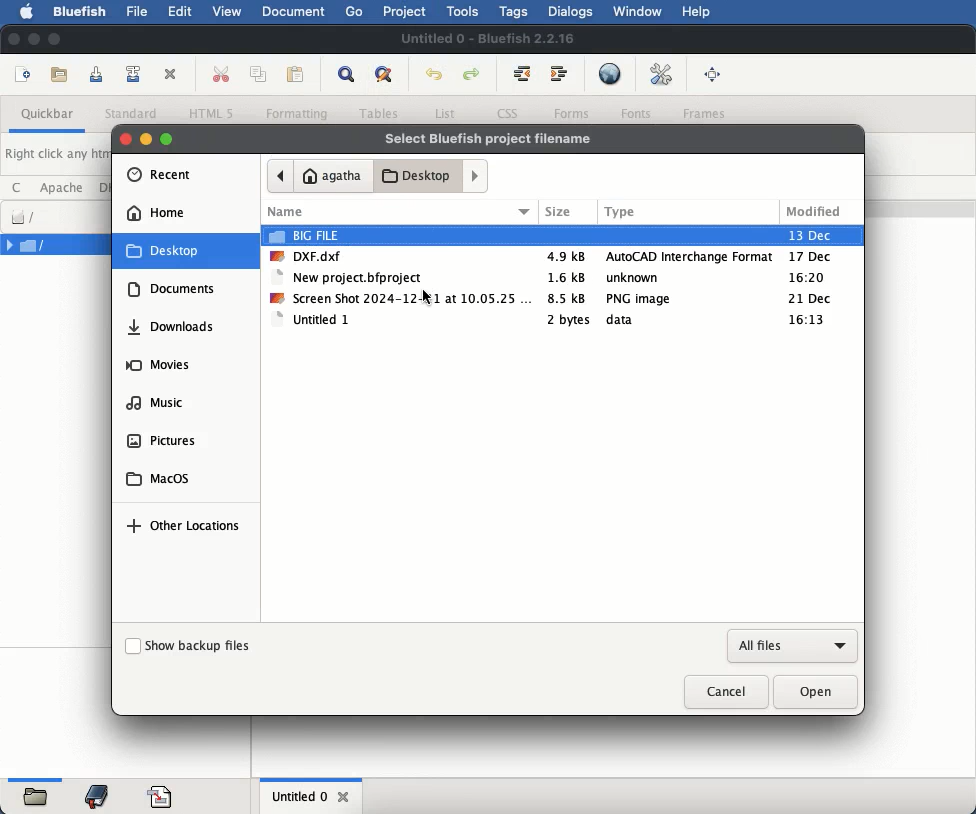 The height and width of the screenshot is (814, 976). Describe the element at coordinates (476, 175) in the screenshot. I see `forward` at that location.